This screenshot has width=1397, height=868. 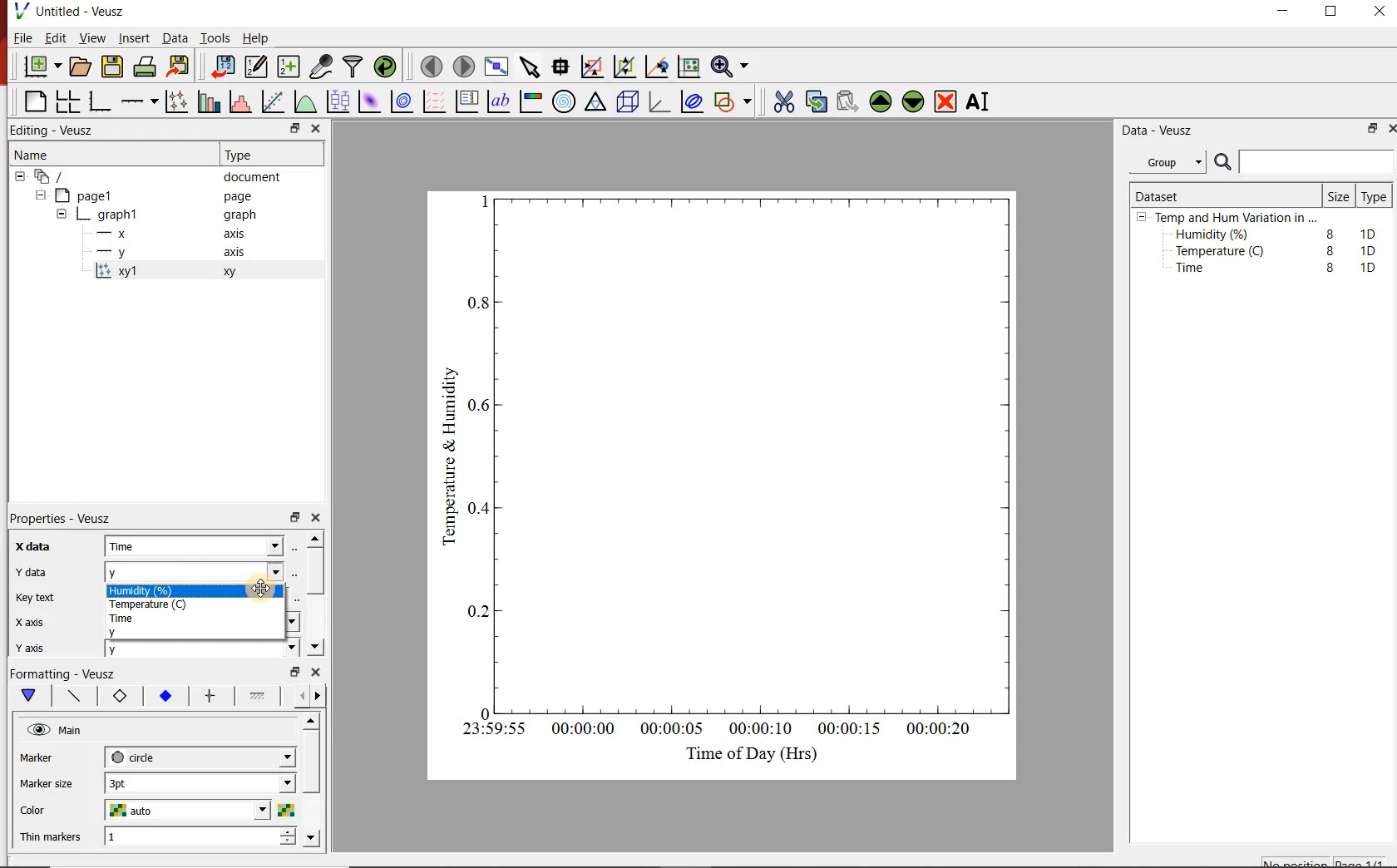 What do you see at coordinates (141, 100) in the screenshot?
I see `add an axis to a plot` at bounding box center [141, 100].